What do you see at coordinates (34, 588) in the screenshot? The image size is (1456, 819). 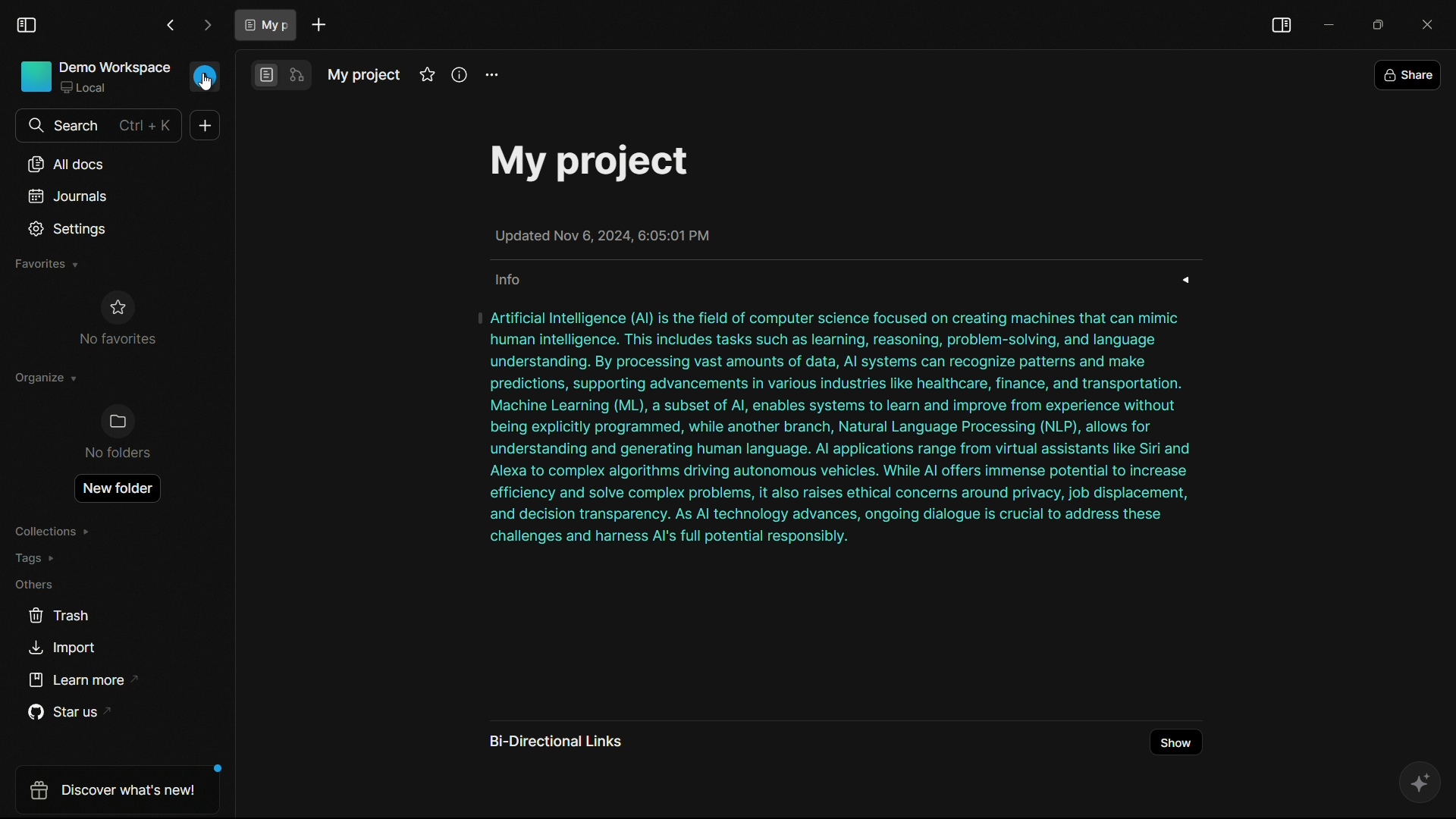 I see `others` at bounding box center [34, 588].